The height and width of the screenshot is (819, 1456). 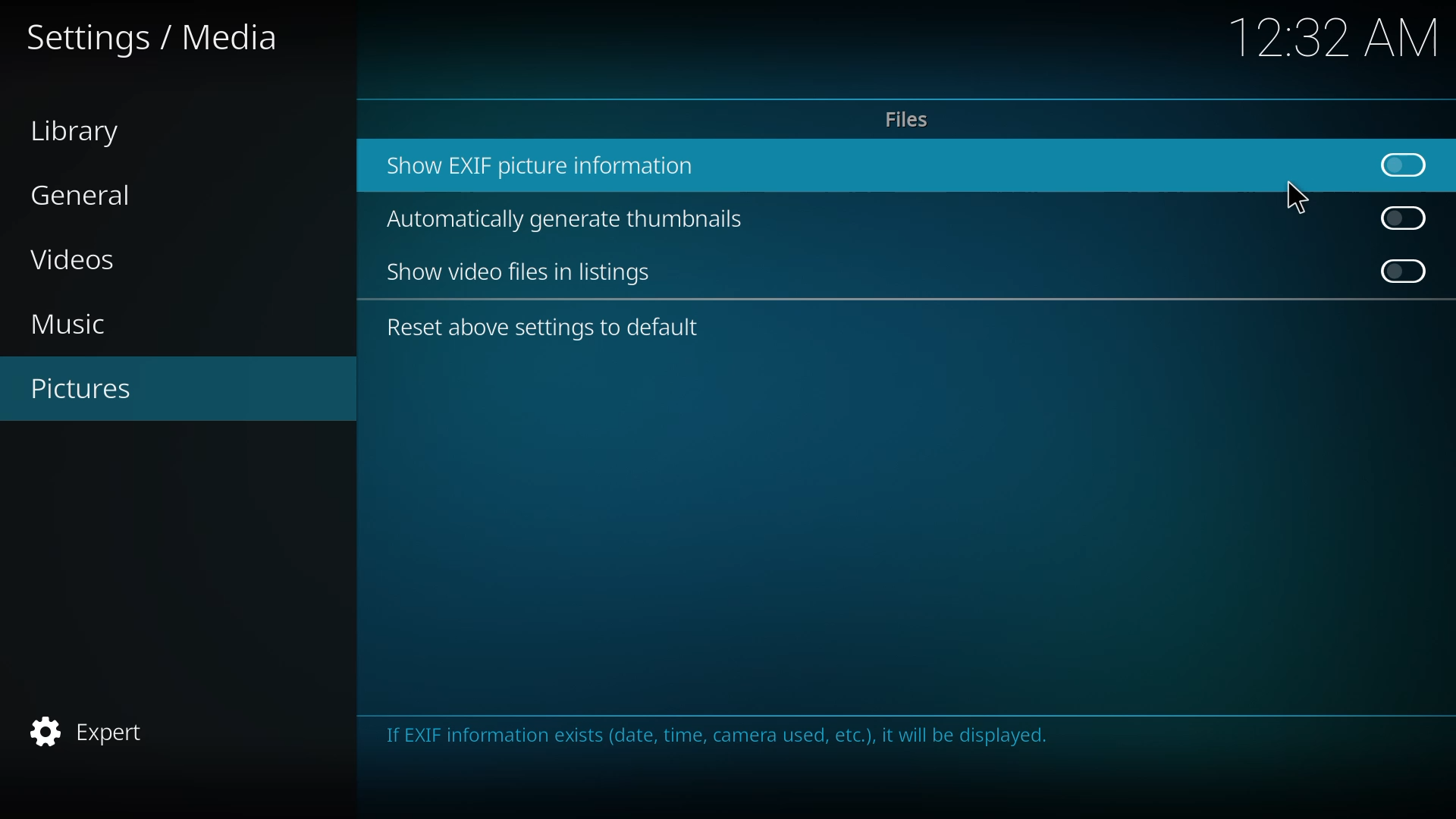 What do you see at coordinates (156, 37) in the screenshot?
I see `settings media` at bounding box center [156, 37].